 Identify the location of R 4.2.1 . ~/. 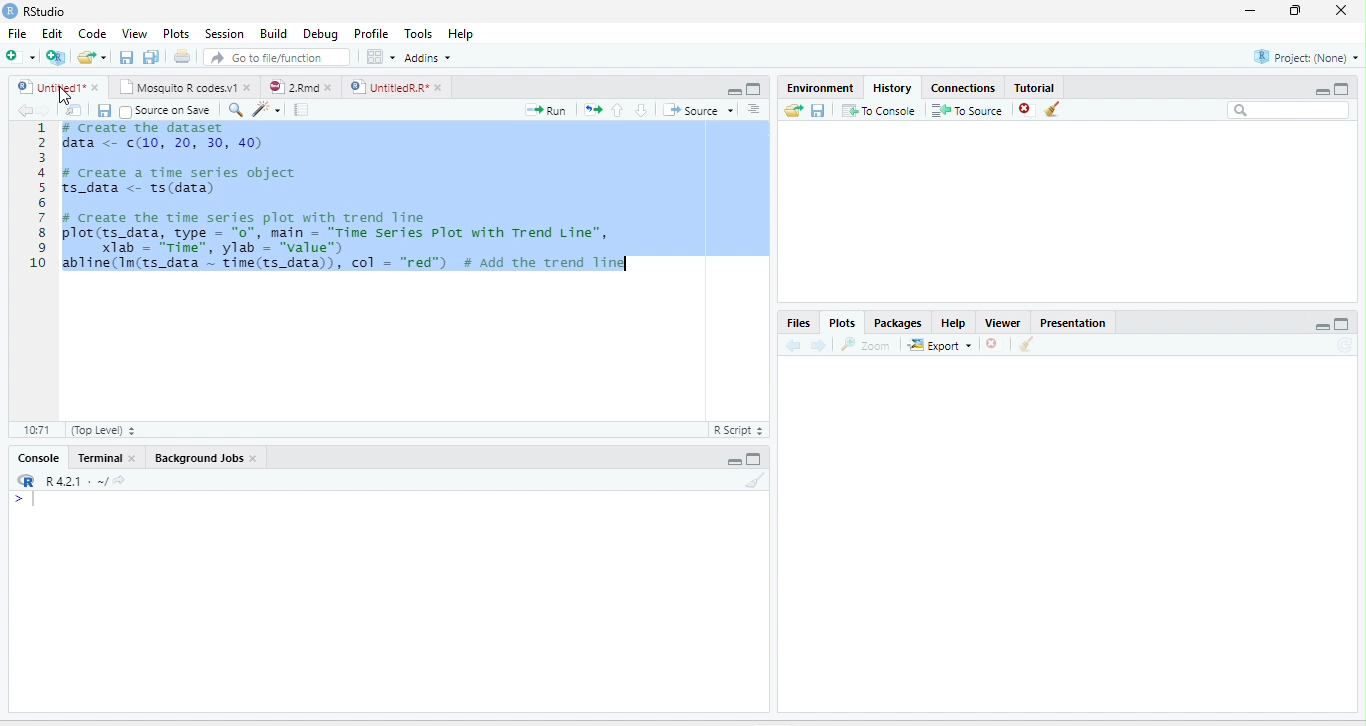
(76, 479).